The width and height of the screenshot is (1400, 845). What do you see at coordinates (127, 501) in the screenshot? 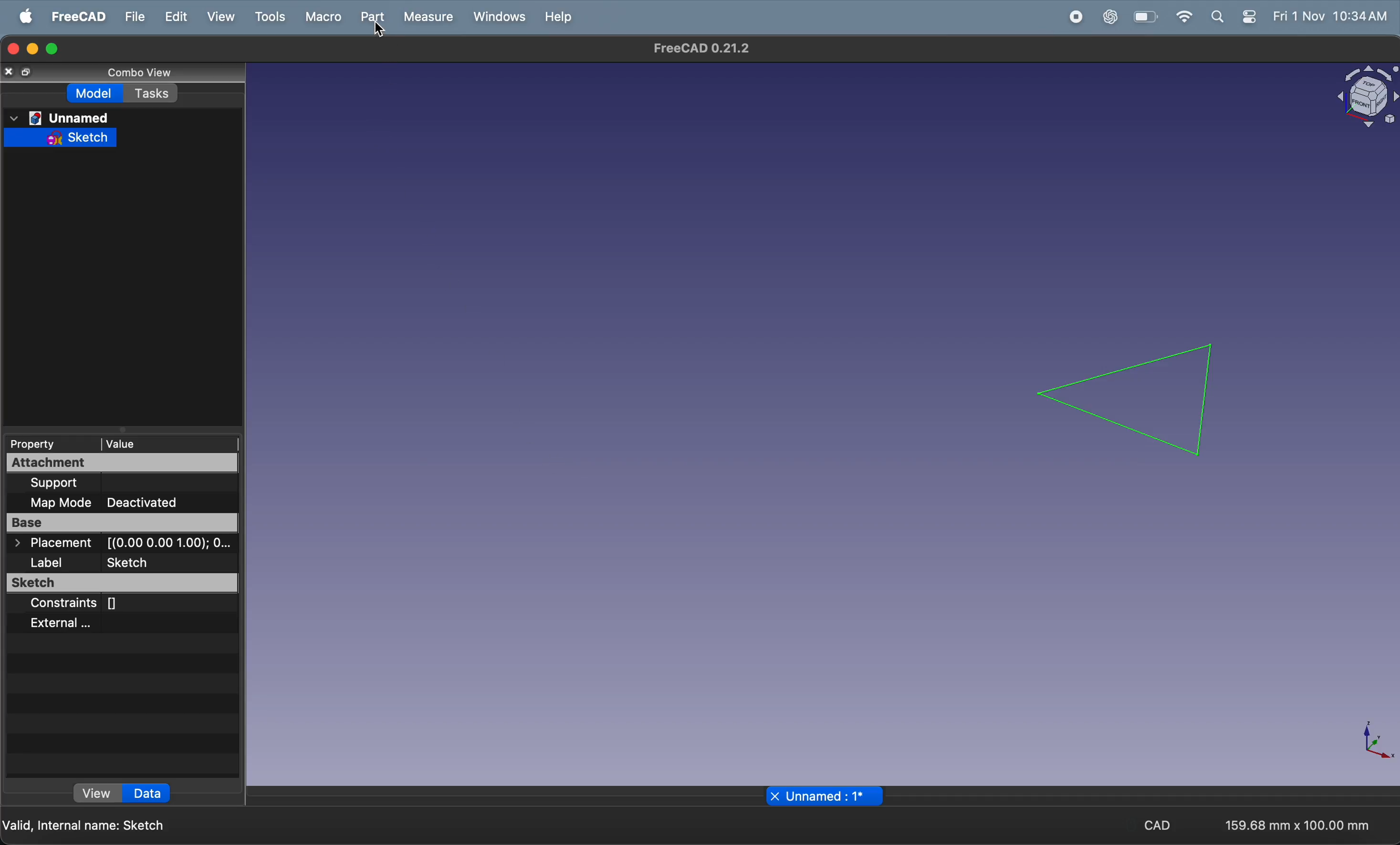
I see `map mode deactivated` at bounding box center [127, 501].